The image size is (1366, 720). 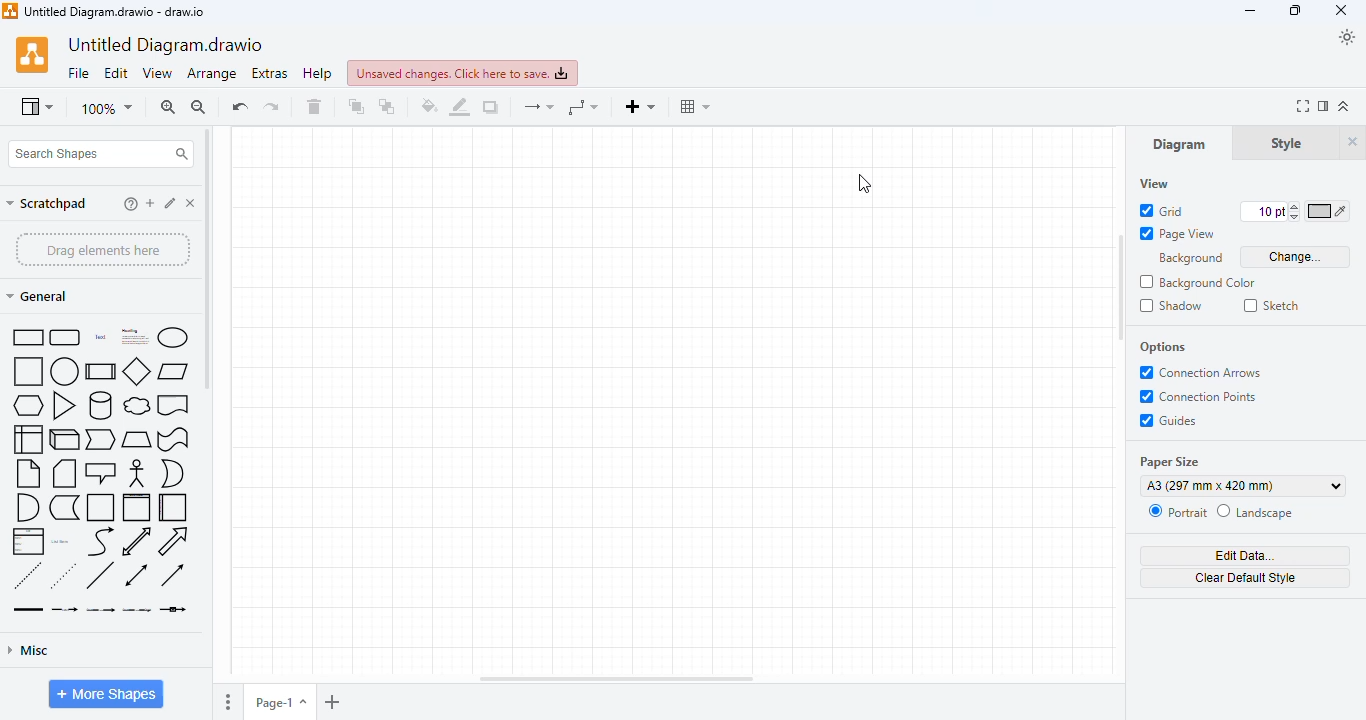 What do you see at coordinates (114, 11) in the screenshot?
I see `title` at bounding box center [114, 11].